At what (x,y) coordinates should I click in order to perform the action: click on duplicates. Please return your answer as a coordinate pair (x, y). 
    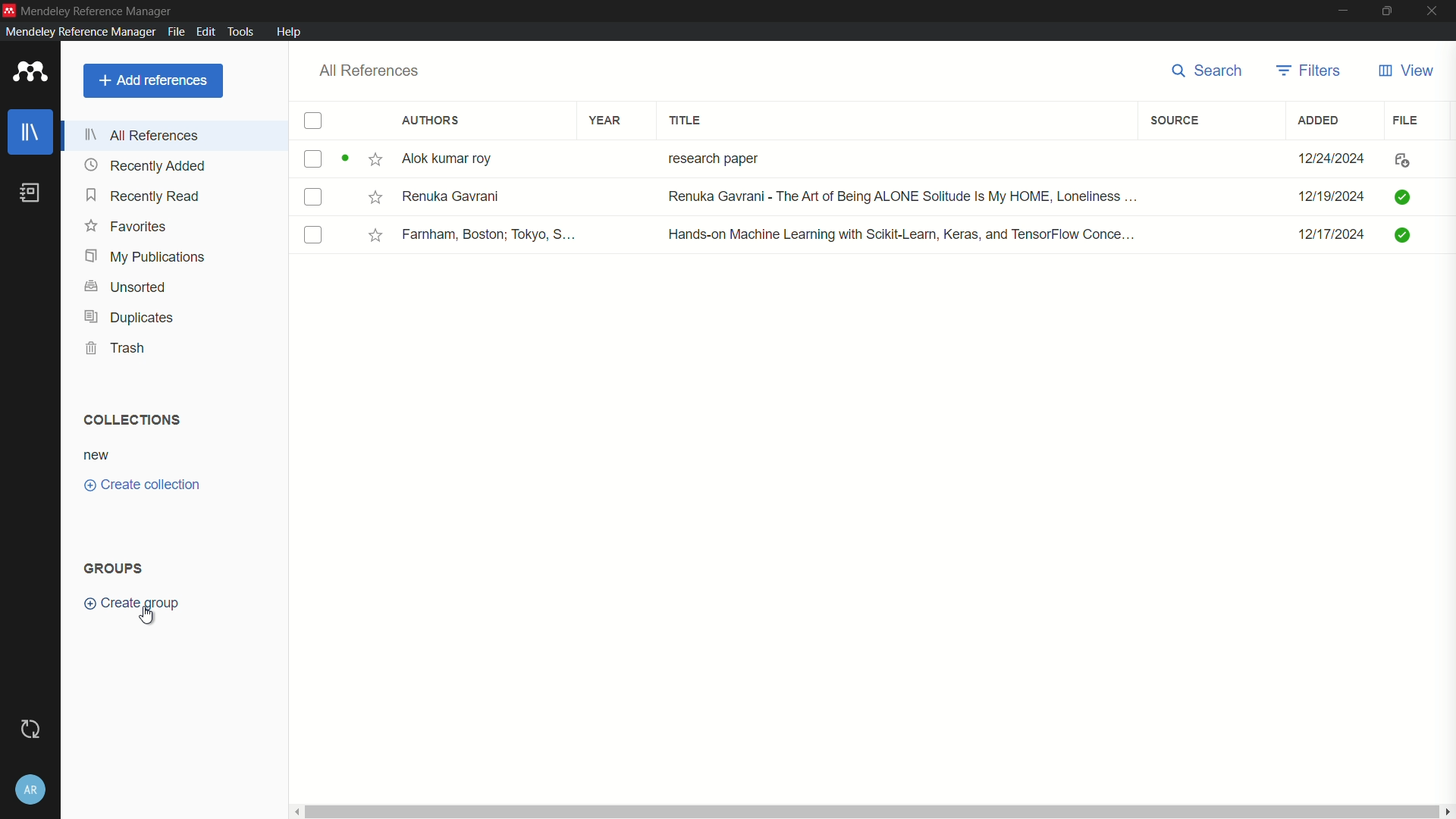
    Looking at the image, I should click on (128, 318).